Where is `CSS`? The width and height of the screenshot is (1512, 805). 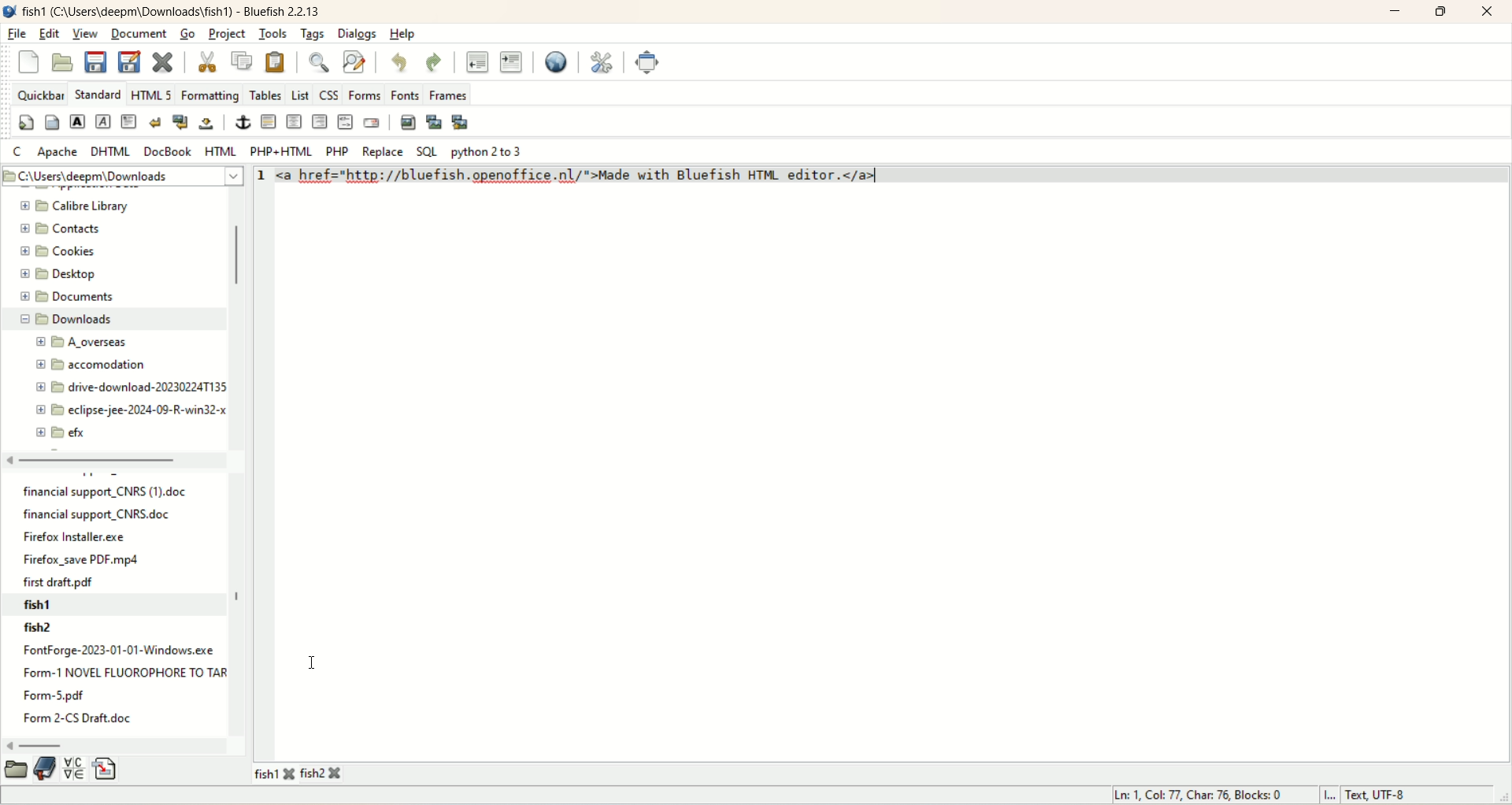
CSS is located at coordinates (329, 94).